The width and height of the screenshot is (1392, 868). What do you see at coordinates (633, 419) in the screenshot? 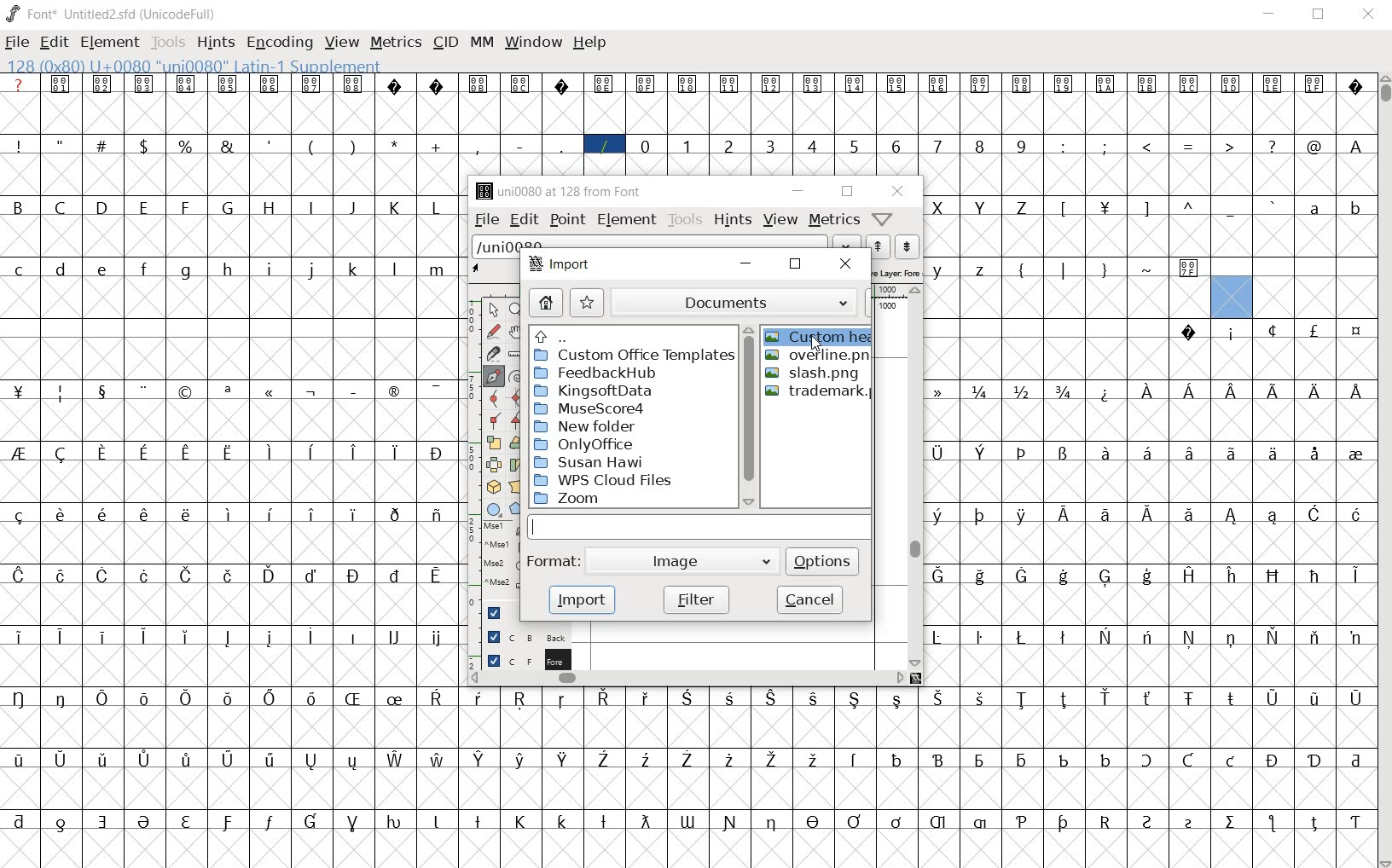
I see `directories` at bounding box center [633, 419].